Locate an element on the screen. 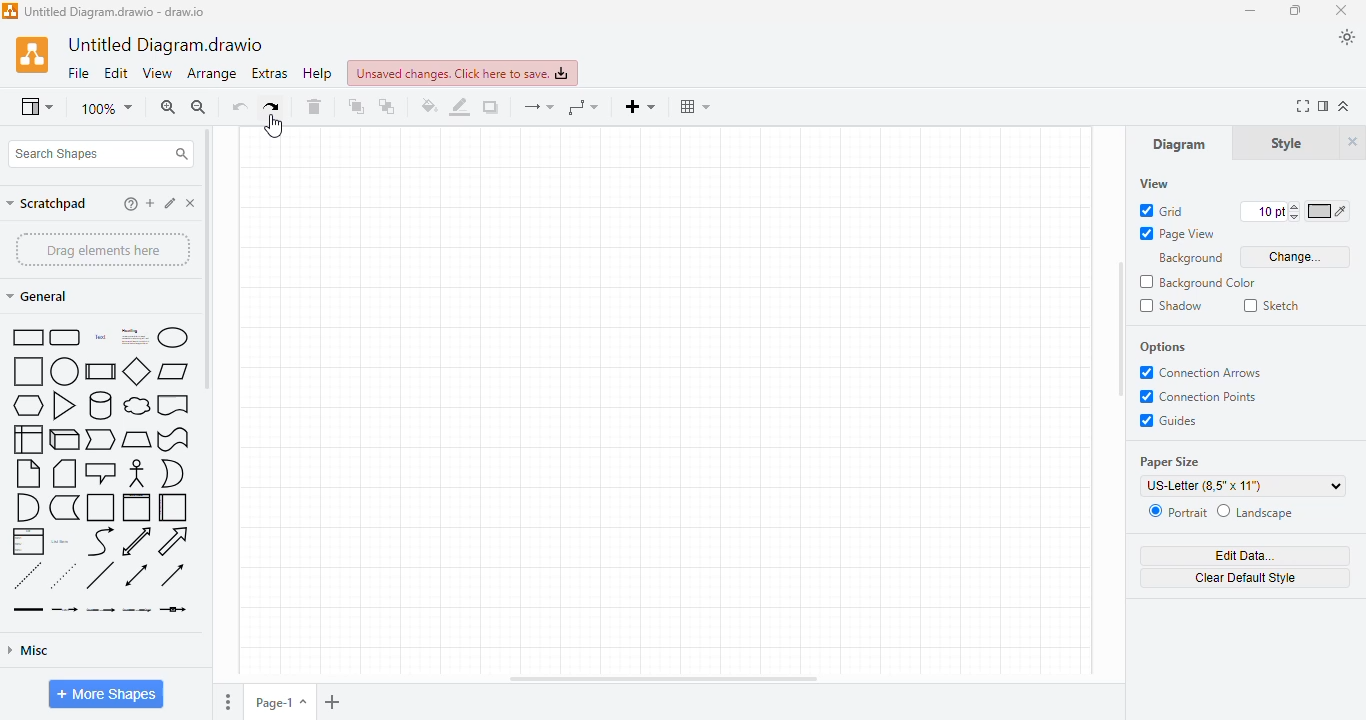 This screenshot has height=720, width=1366. connector with 2 labels is located at coordinates (100, 609).